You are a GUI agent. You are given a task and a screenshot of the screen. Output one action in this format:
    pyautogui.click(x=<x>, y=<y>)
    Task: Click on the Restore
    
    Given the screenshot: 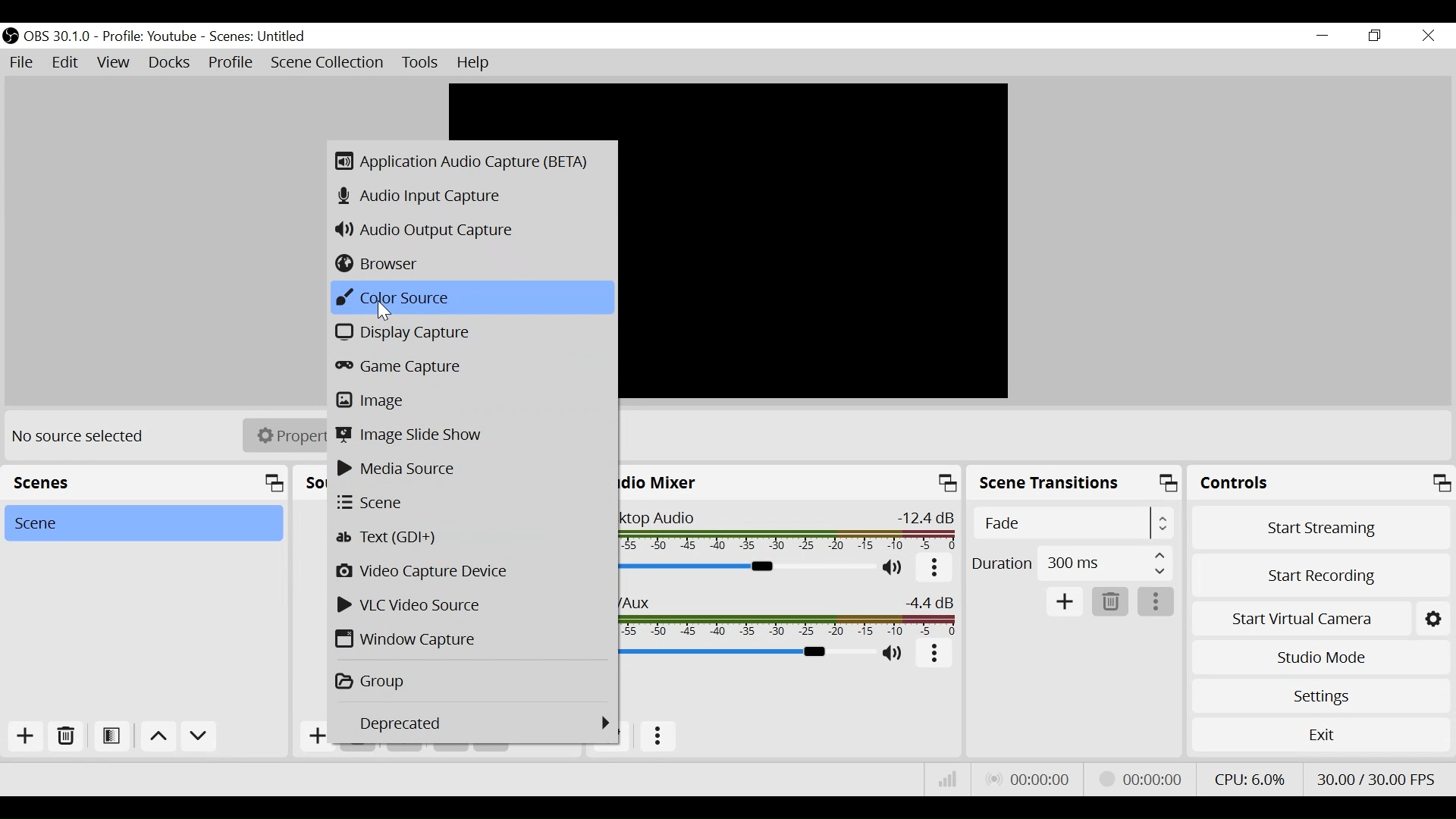 What is the action you would take?
    pyautogui.click(x=1379, y=36)
    